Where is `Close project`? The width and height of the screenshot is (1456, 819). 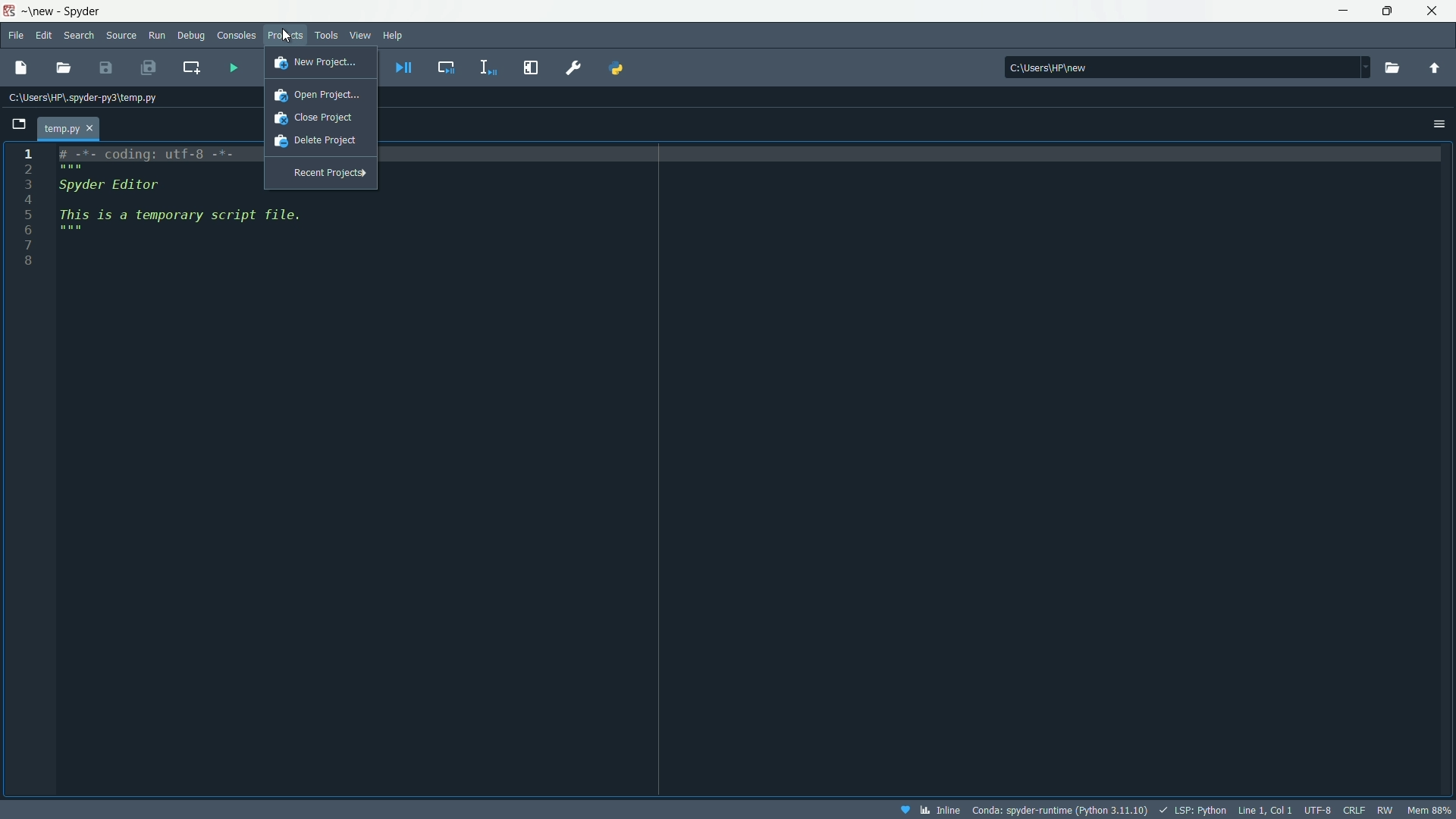
Close project is located at coordinates (319, 119).